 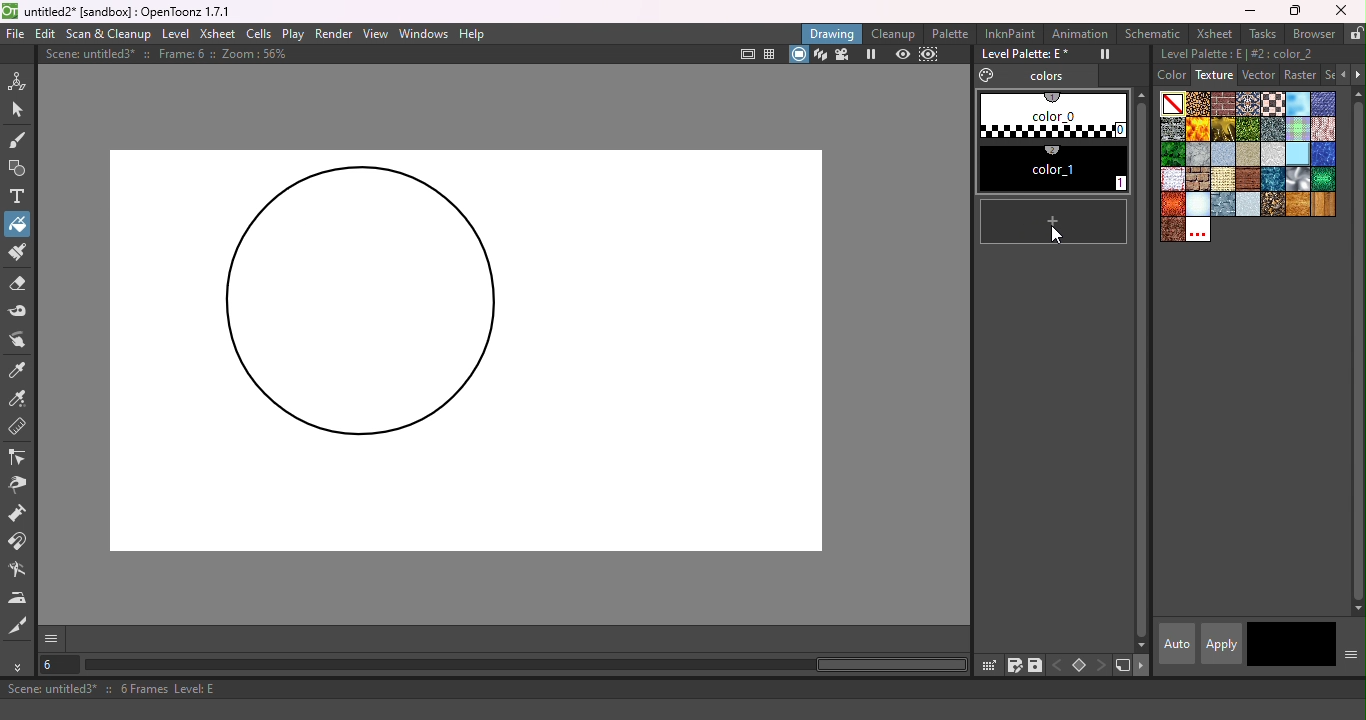 I want to click on roughbrickwork.bmp, so click(x=1199, y=180).